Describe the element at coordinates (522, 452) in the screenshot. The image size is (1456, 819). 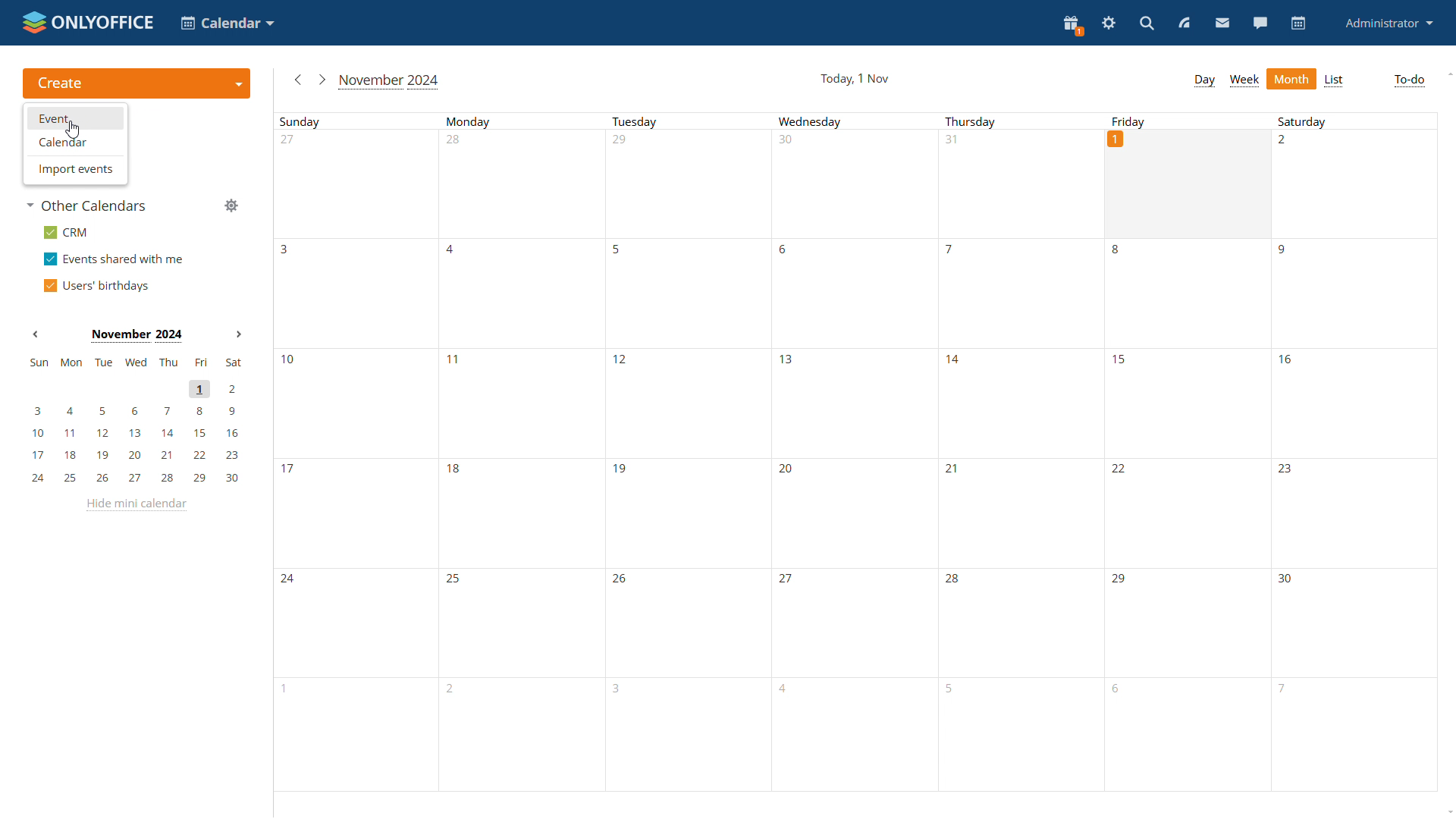
I see `monday` at that location.